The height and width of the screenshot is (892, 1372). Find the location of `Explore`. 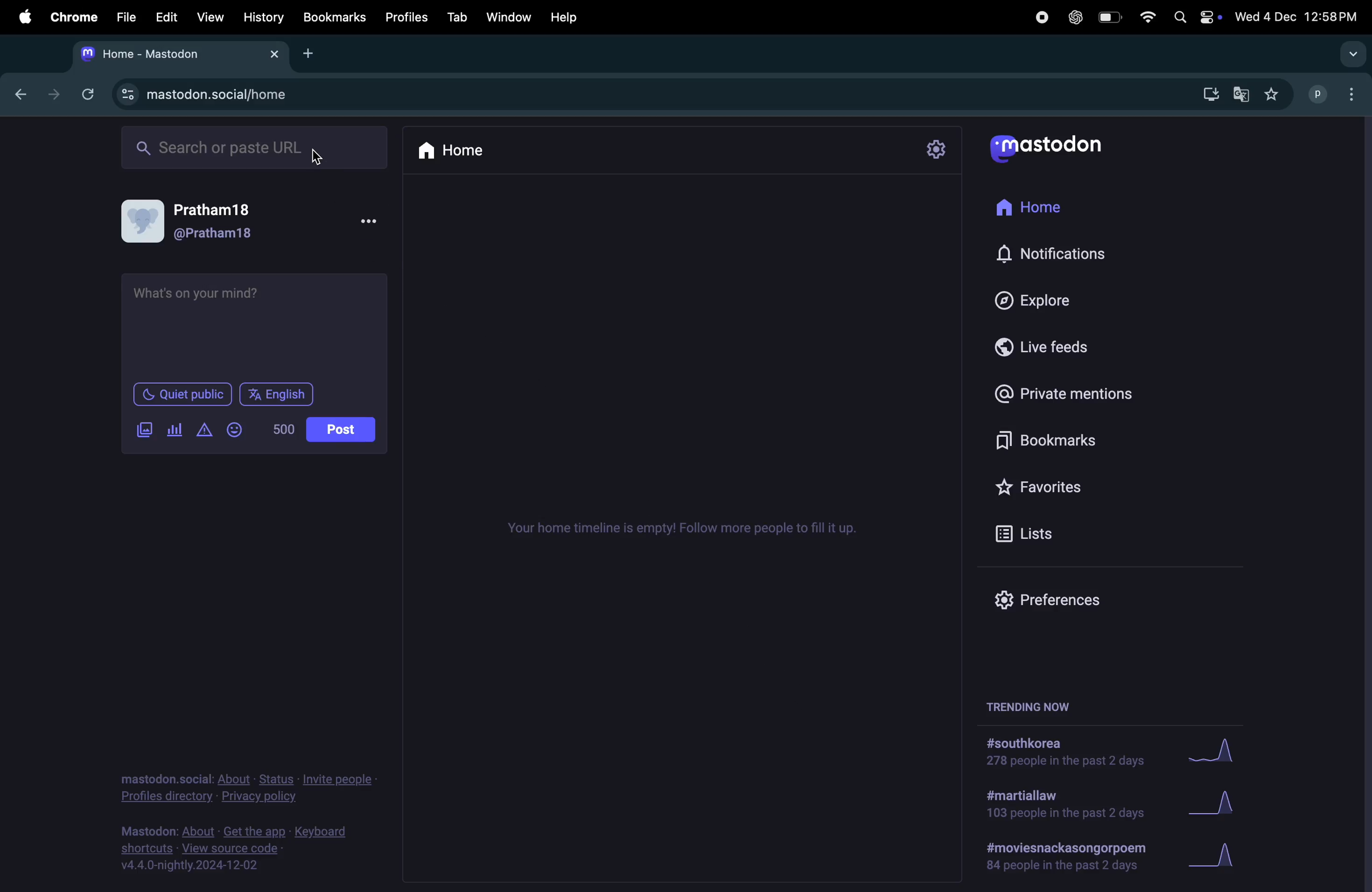

Explore is located at coordinates (1051, 301).